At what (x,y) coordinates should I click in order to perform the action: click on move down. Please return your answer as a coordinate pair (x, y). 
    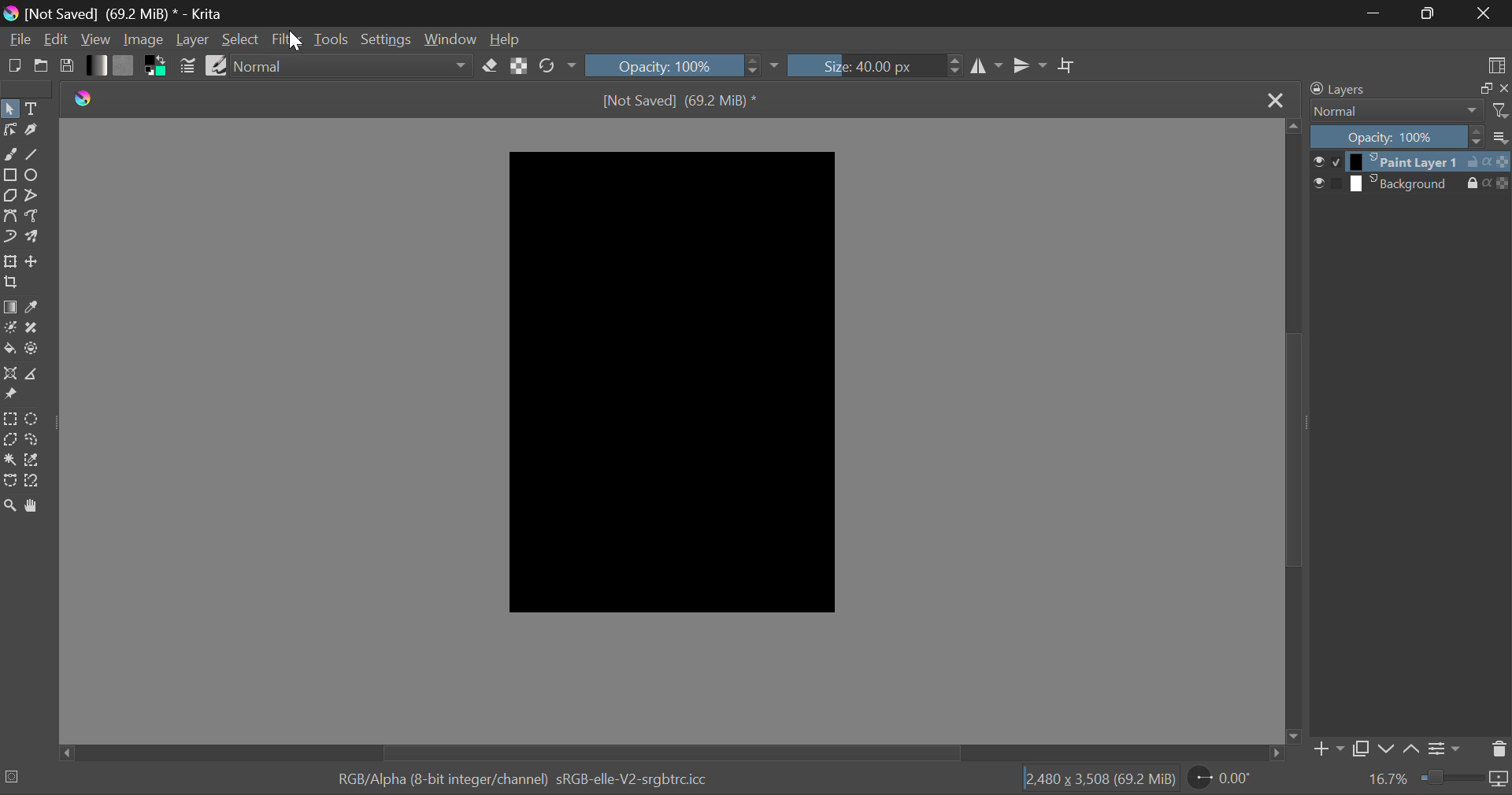
    Looking at the image, I should click on (1290, 732).